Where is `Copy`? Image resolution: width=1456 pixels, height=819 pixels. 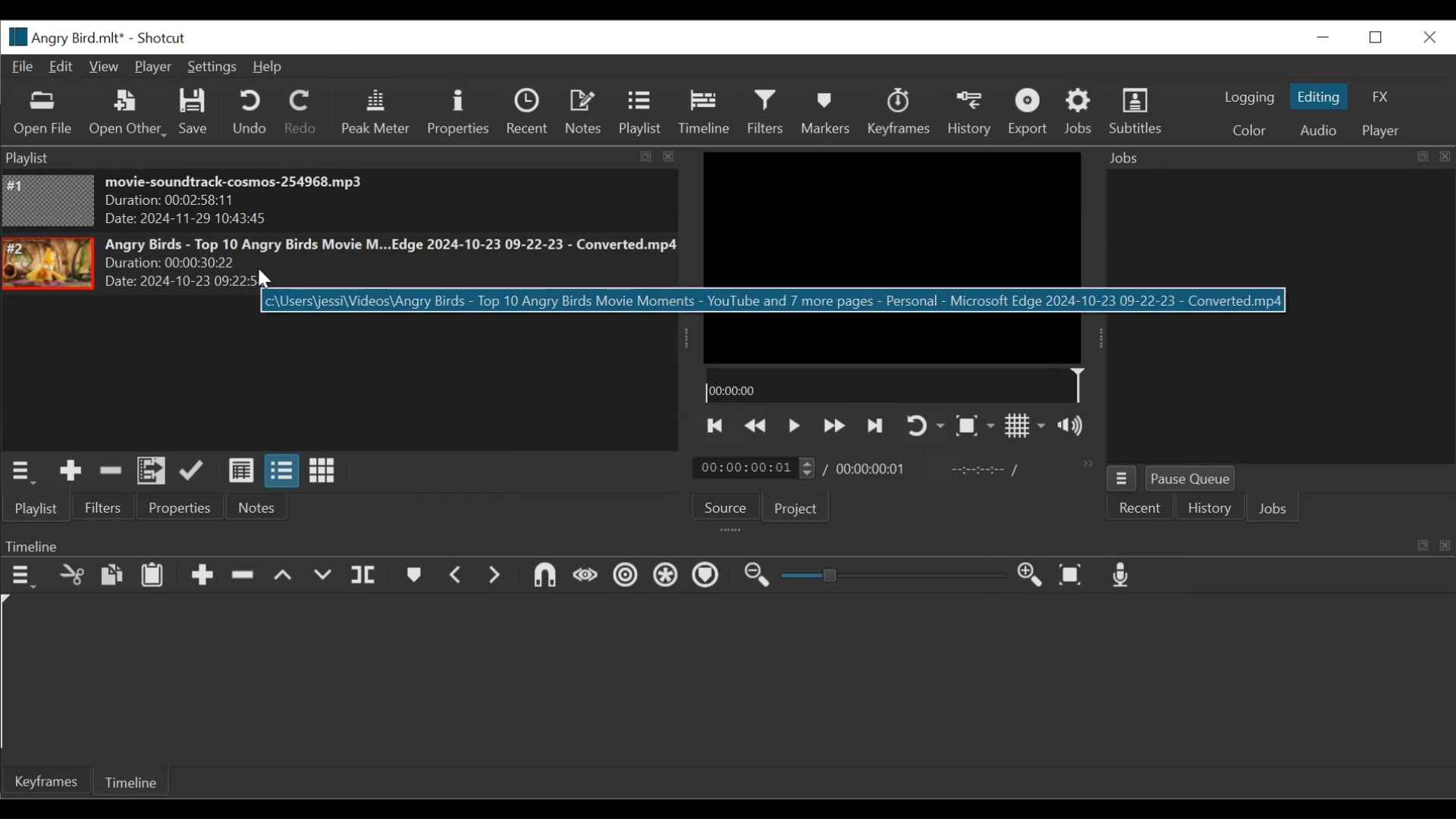 Copy is located at coordinates (115, 576).